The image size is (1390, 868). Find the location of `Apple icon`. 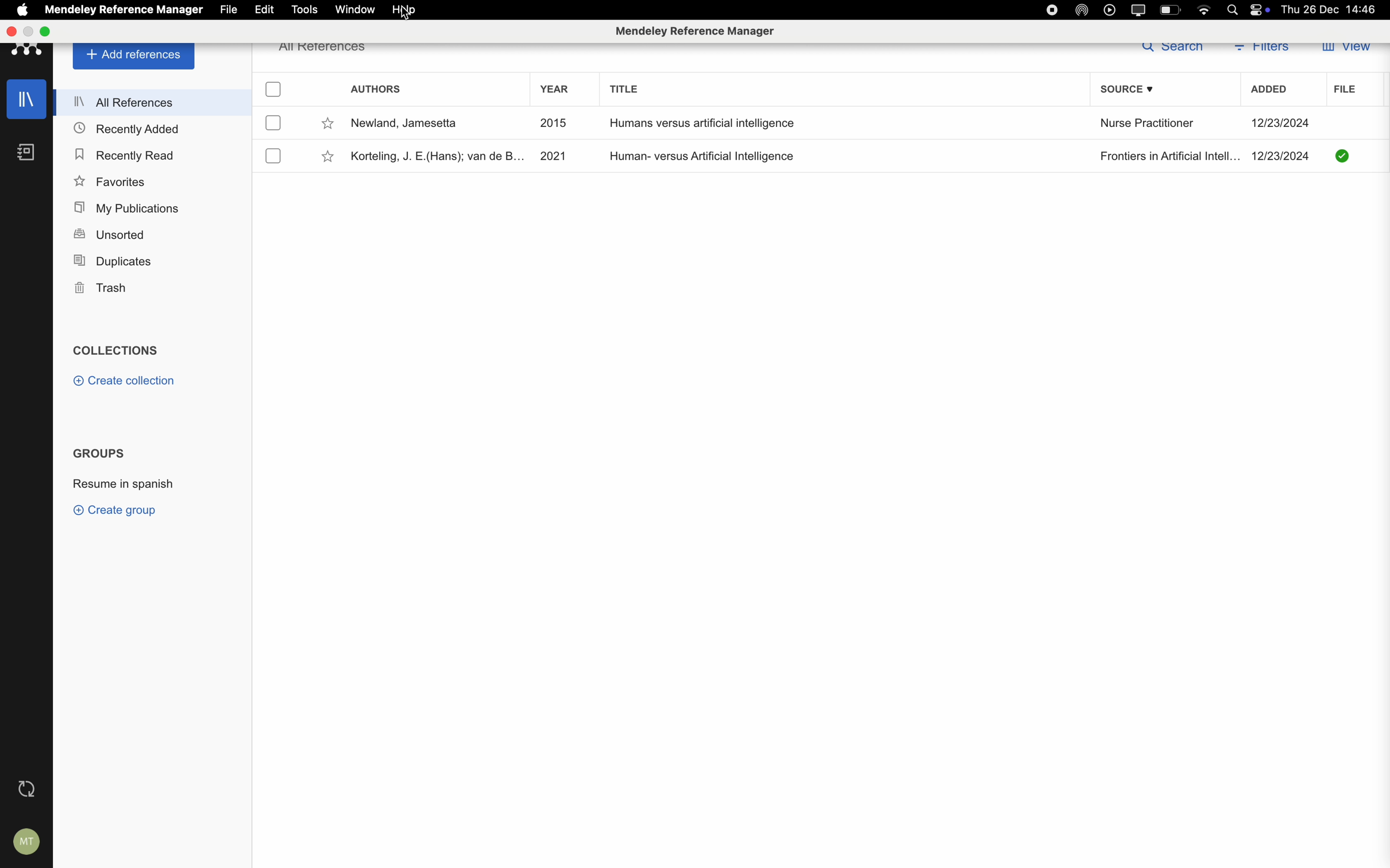

Apple icon is located at coordinates (17, 10).